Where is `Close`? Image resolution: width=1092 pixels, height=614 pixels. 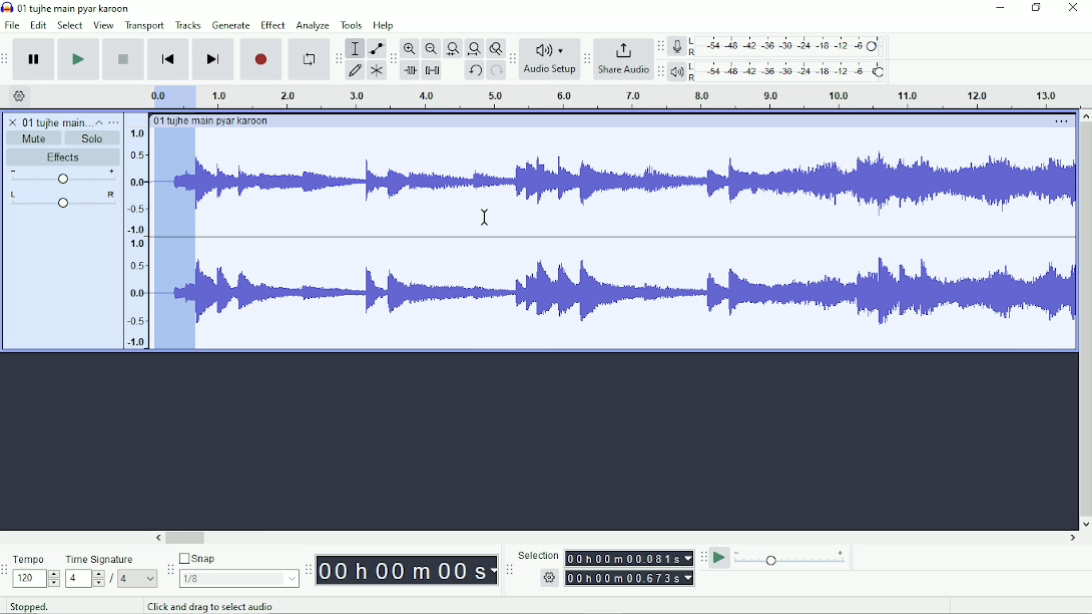 Close is located at coordinates (1072, 9).